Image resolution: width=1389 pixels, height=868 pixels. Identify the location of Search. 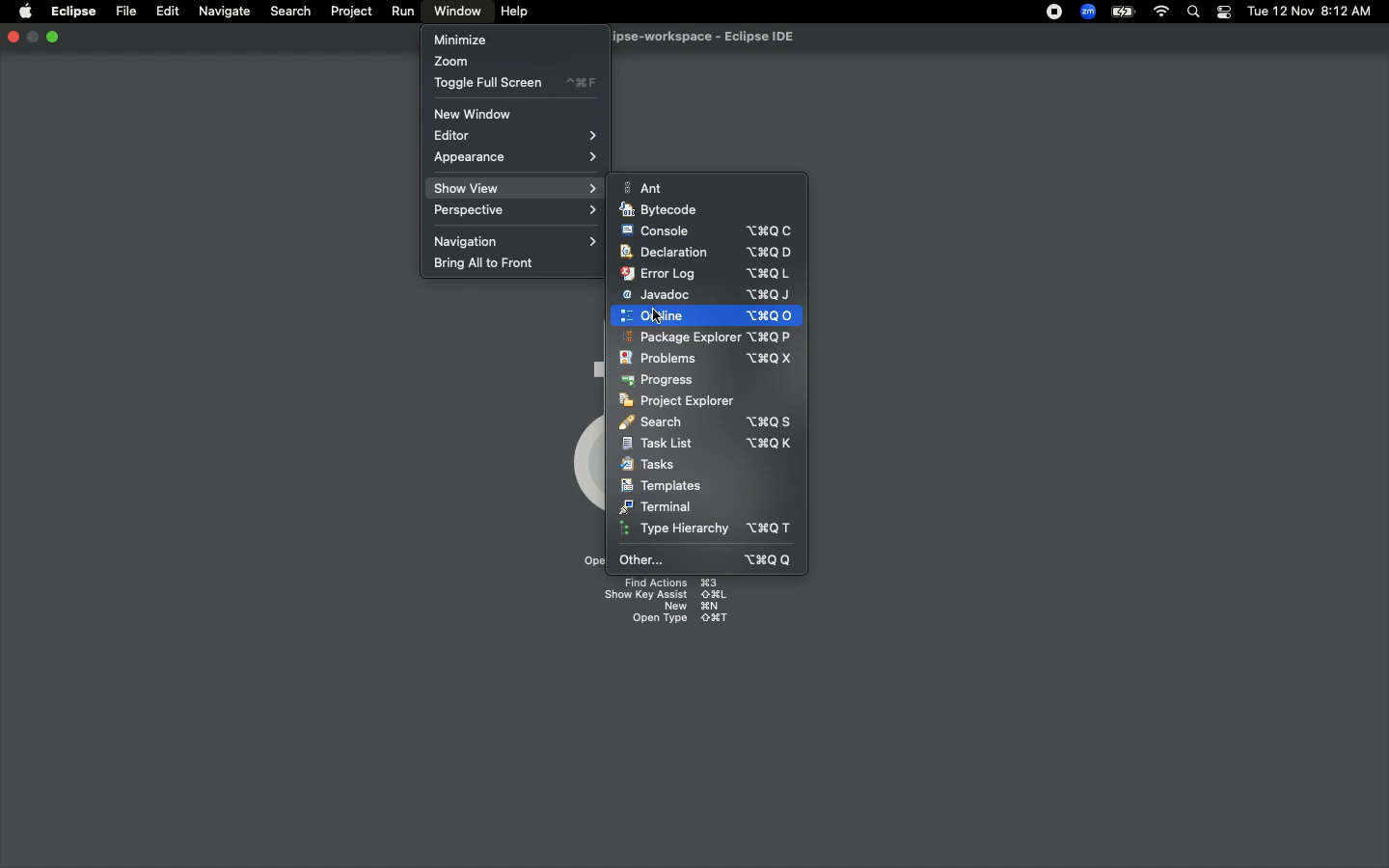
(289, 10).